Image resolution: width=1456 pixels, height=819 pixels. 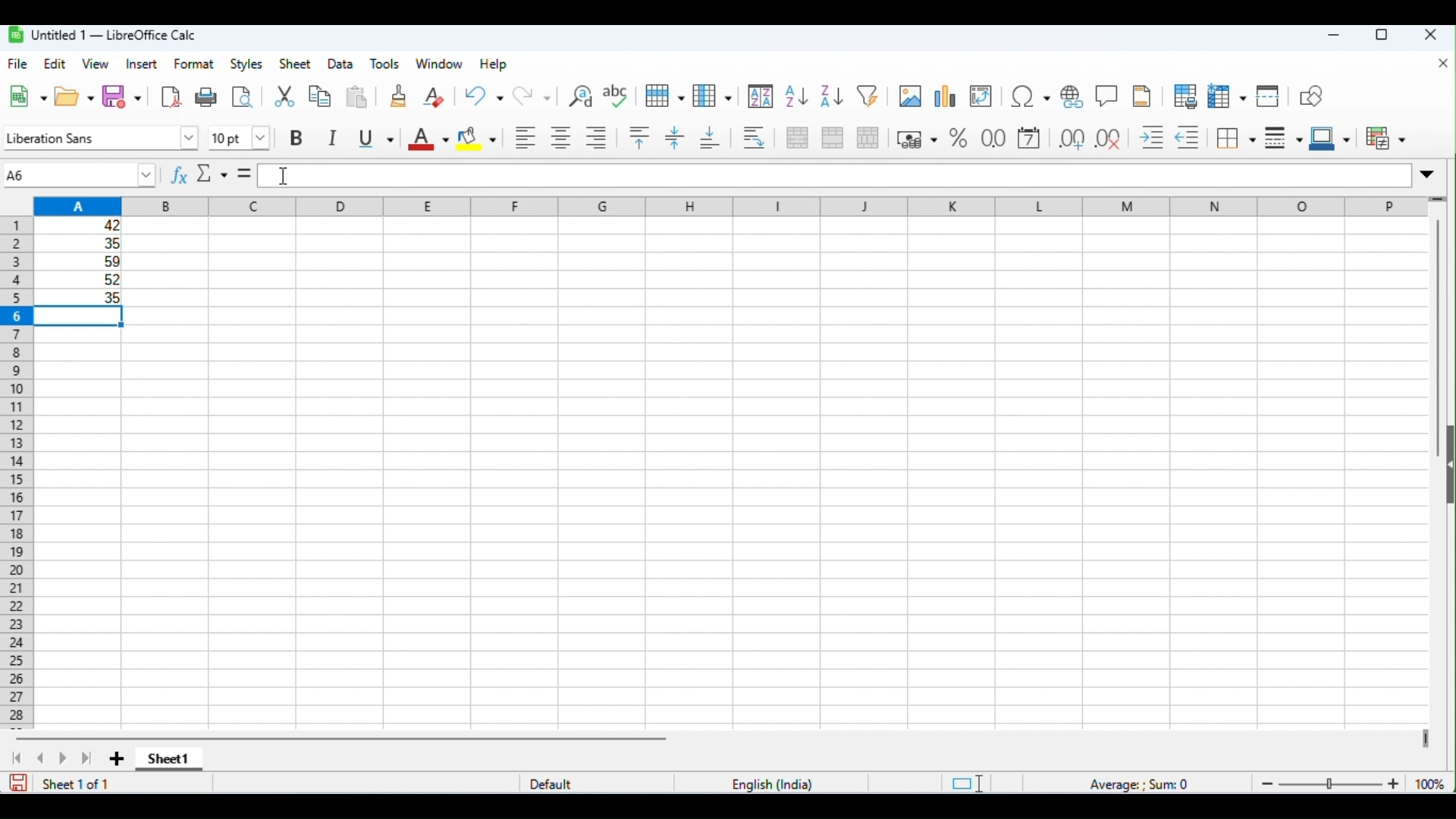 I want to click on previous sheet, so click(x=42, y=758).